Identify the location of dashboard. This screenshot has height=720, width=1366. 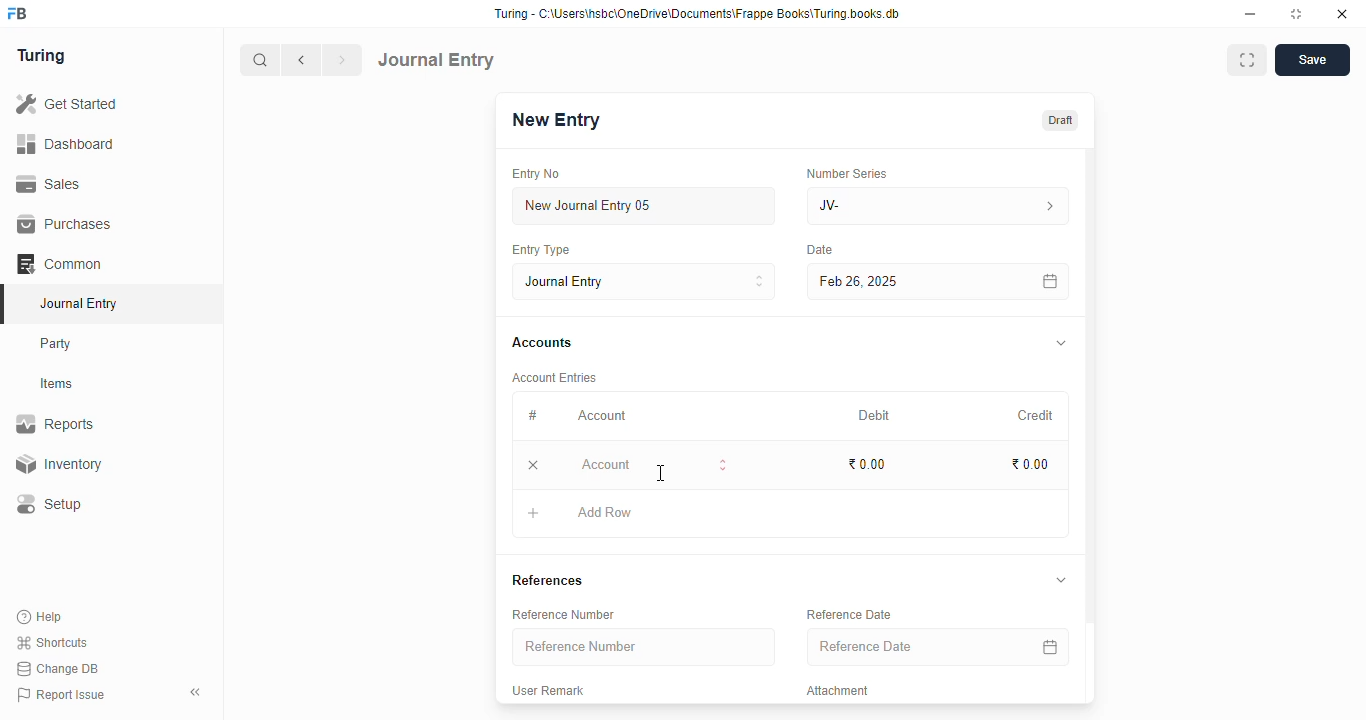
(66, 143).